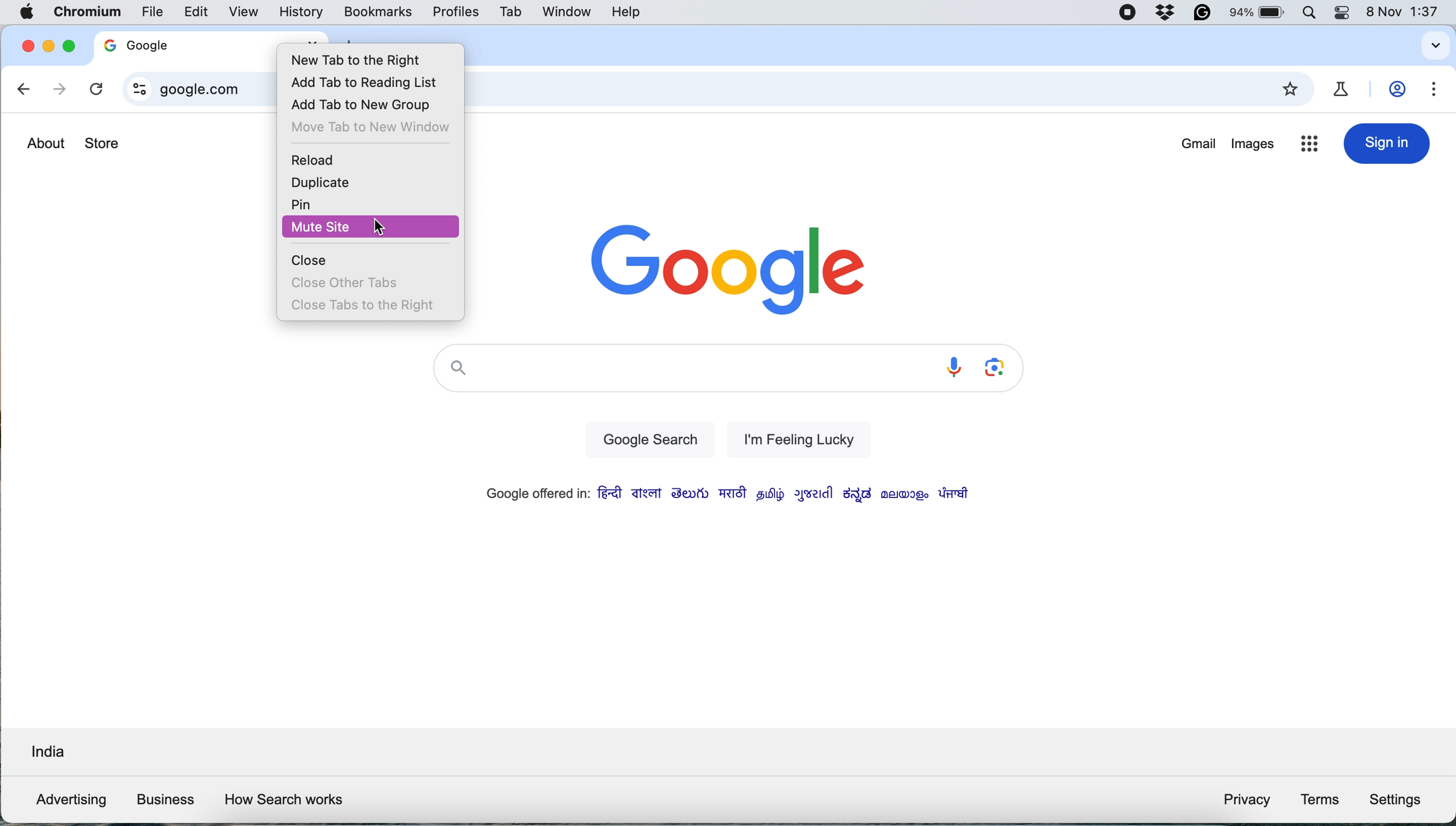  Describe the element at coordinates (1259, 12) in the screenshot. I see `battery` at that location.